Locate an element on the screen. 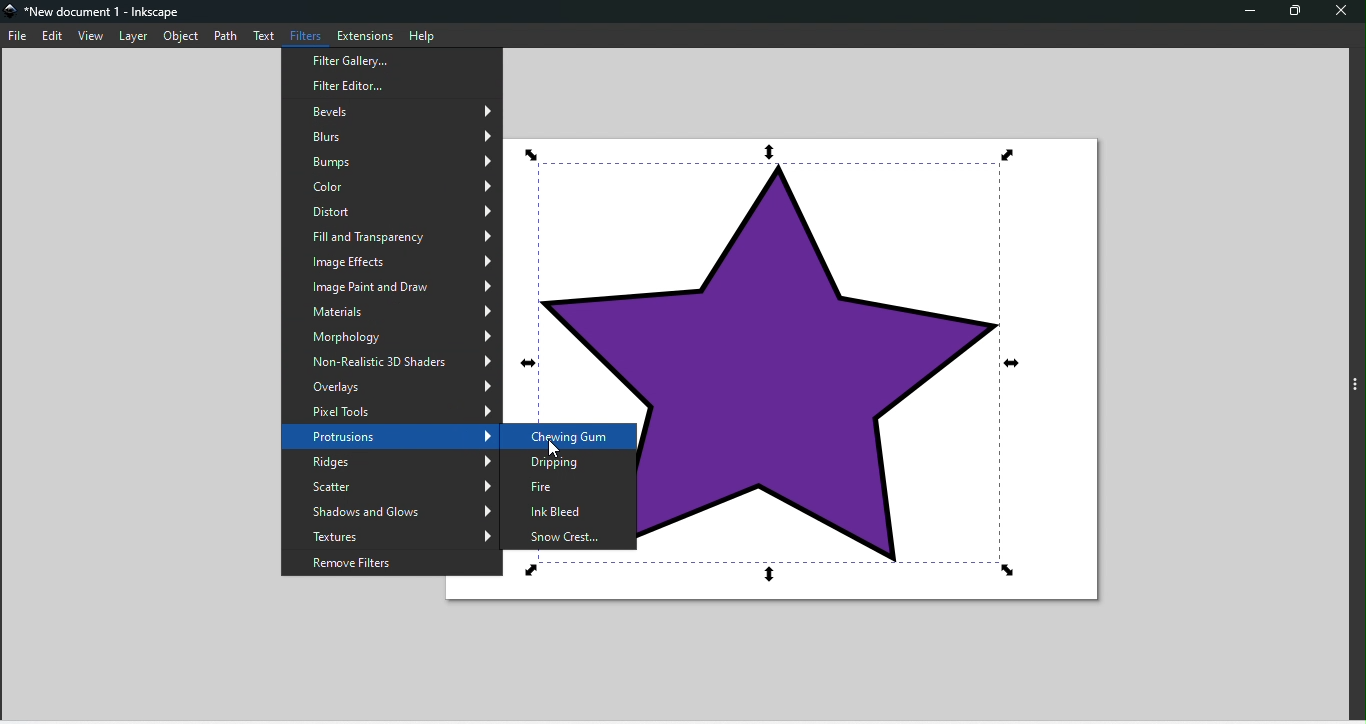  cursor is located at coordinates (553, 449).